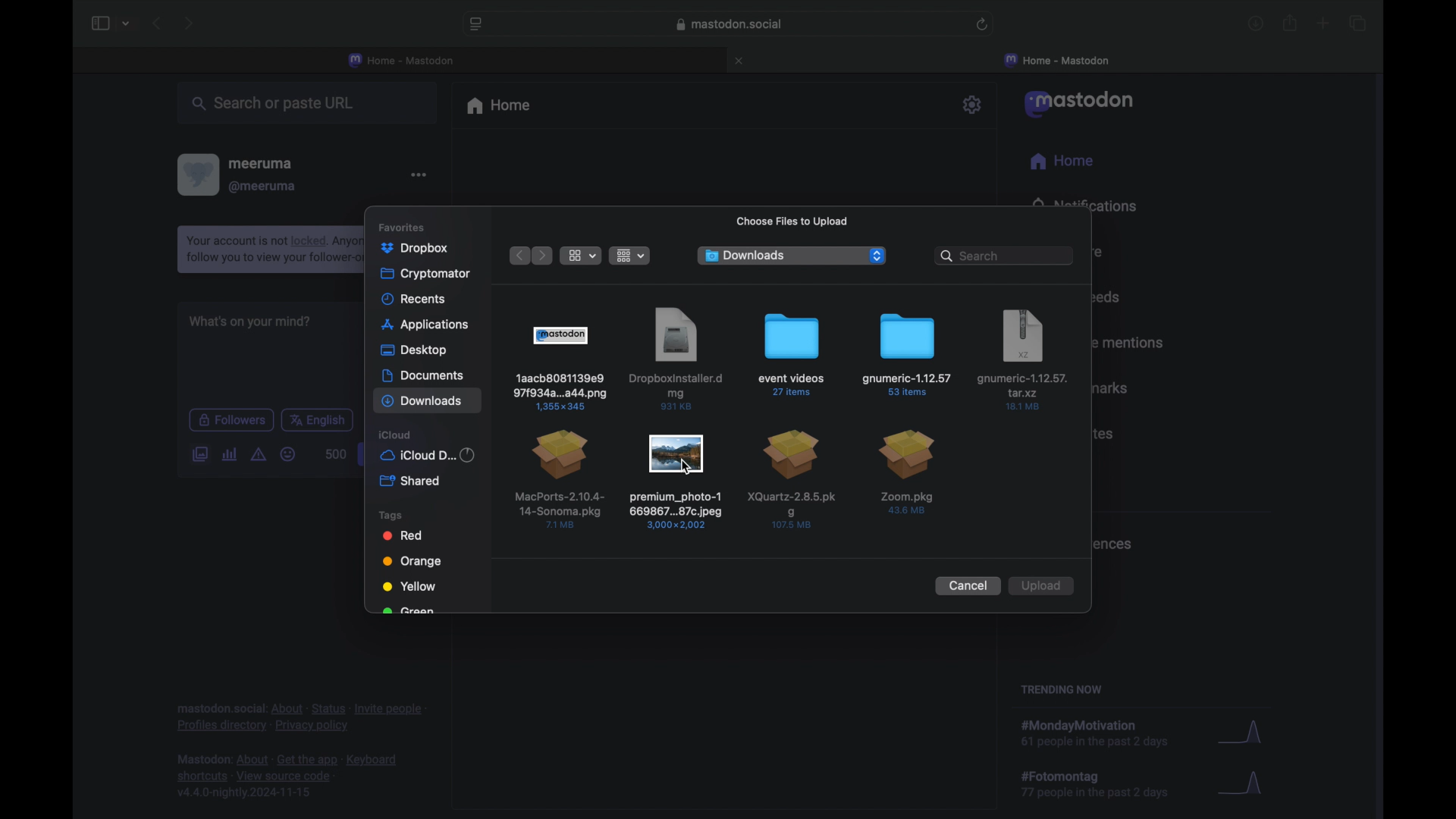 This screenshot has height=819, width=1456. Describe the element at coordinates (158, 24) in the screenshot. I see `previous` at that location.